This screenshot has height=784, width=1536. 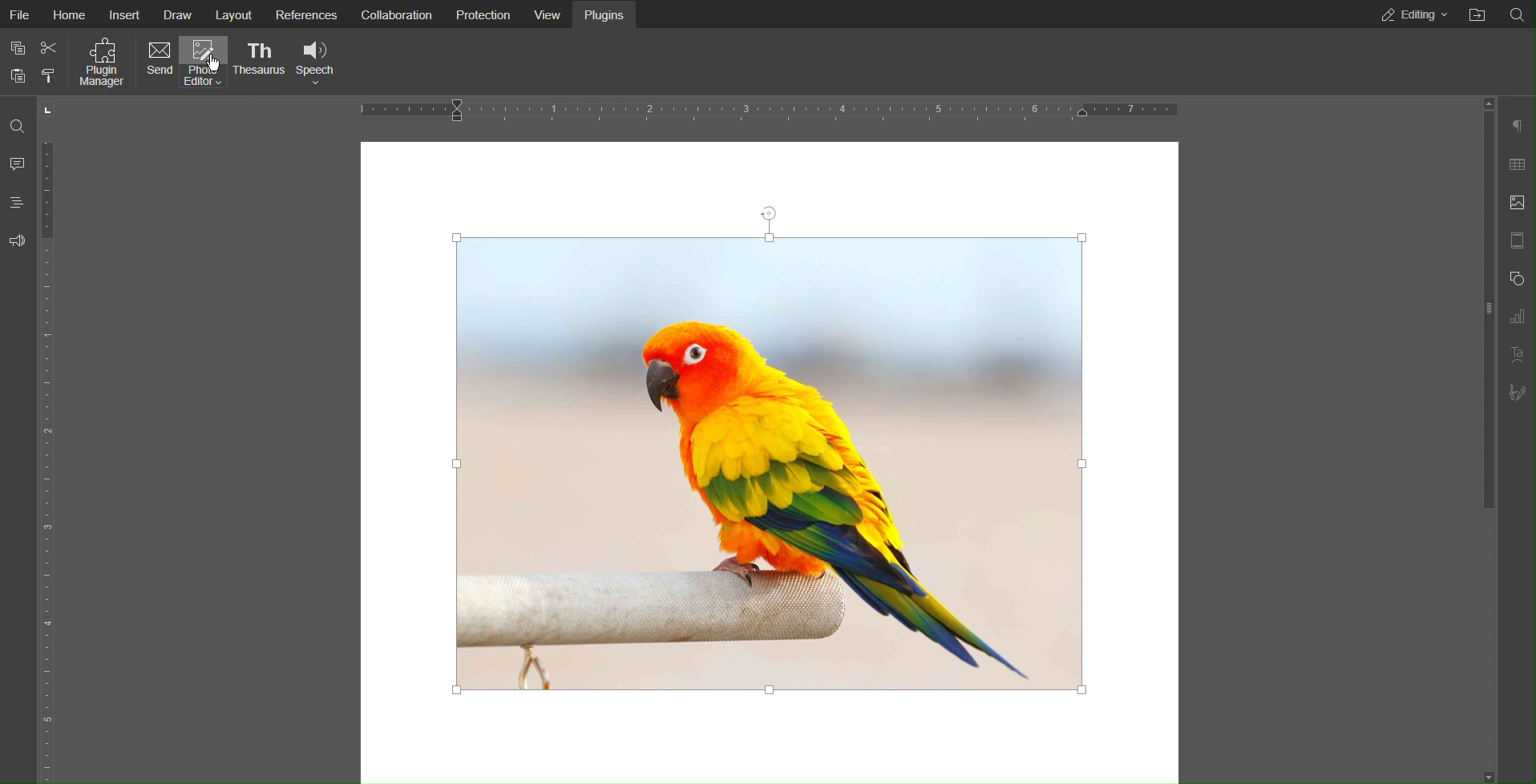 I want to click on Home, so click(x=71, y=13).